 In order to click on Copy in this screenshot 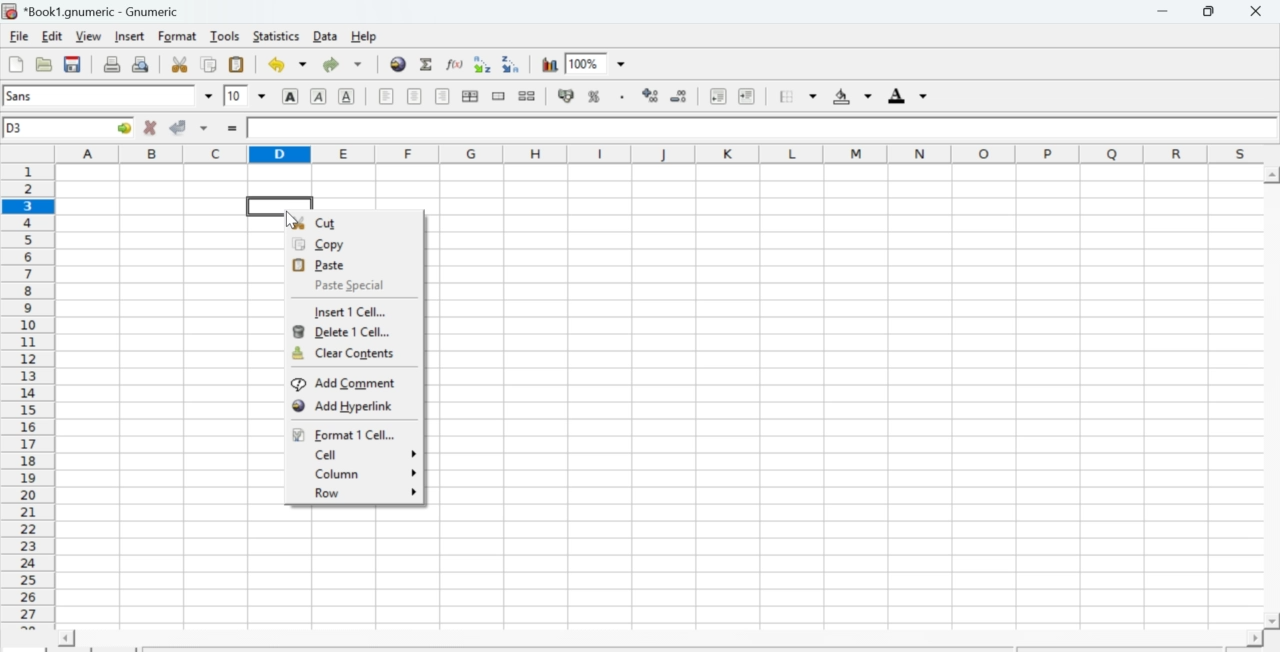, I will do `click(212, 65)`.